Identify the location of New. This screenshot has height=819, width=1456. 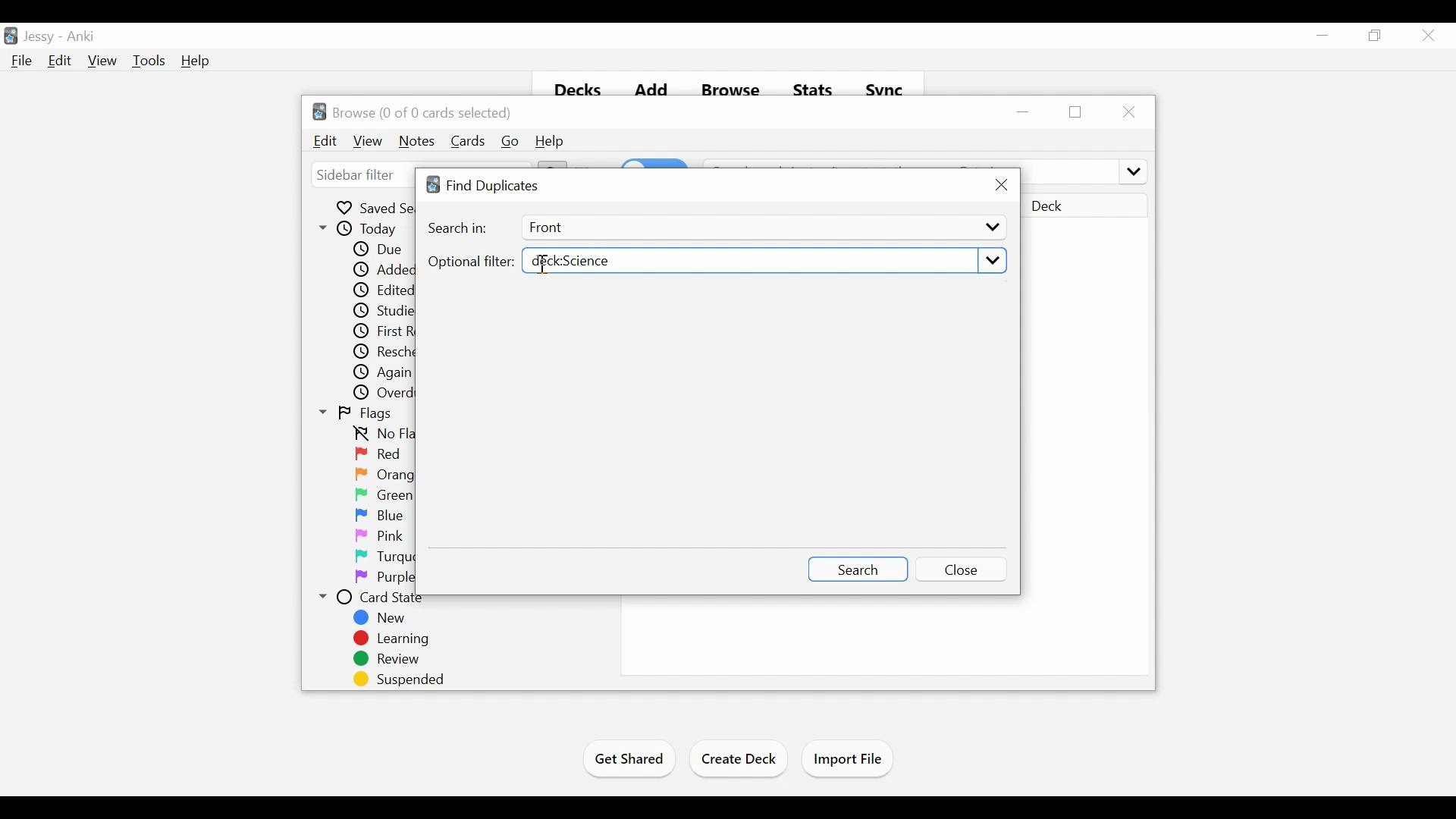
(384, 618).